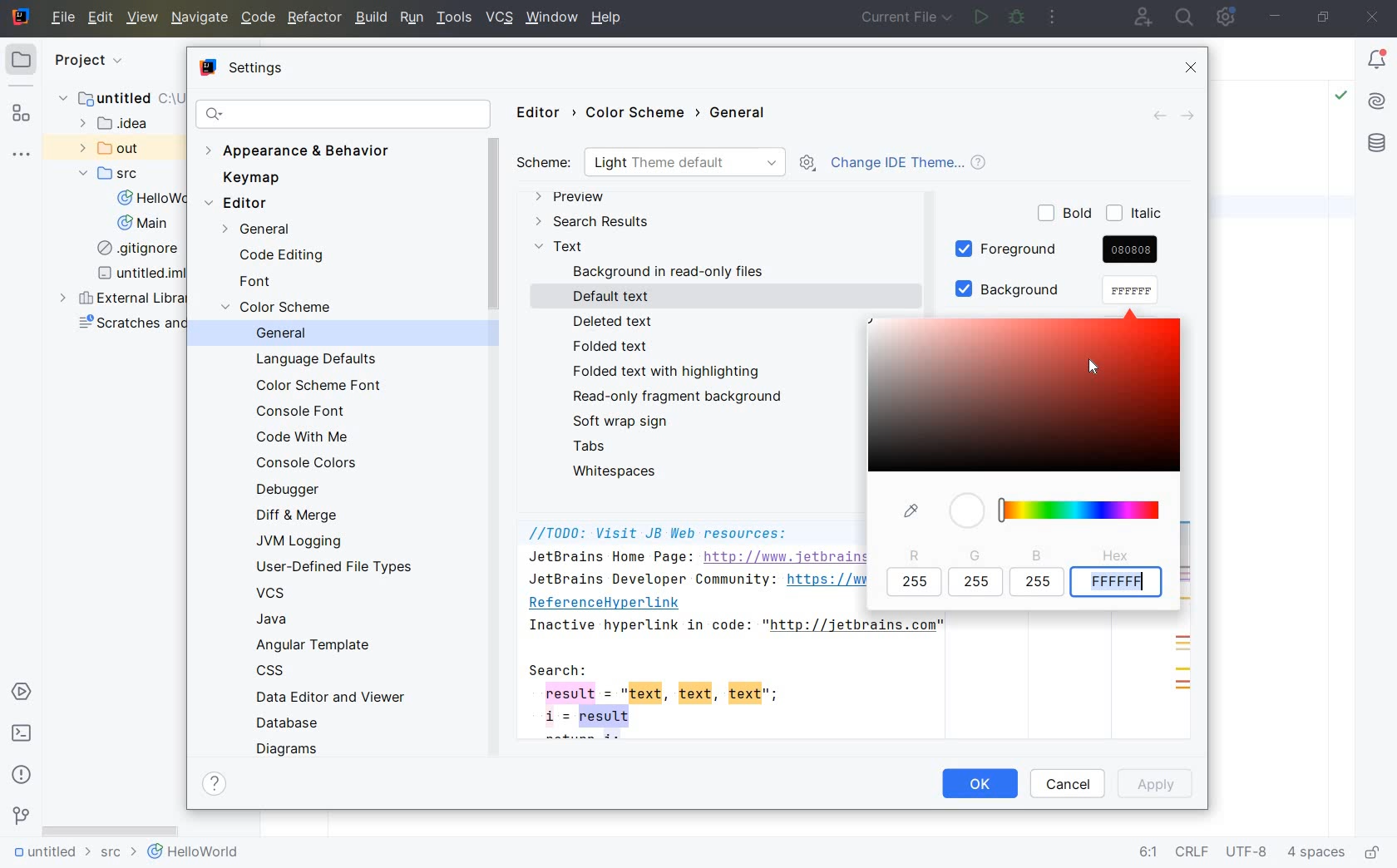  I want to click on restore down, so click(1325, 18).